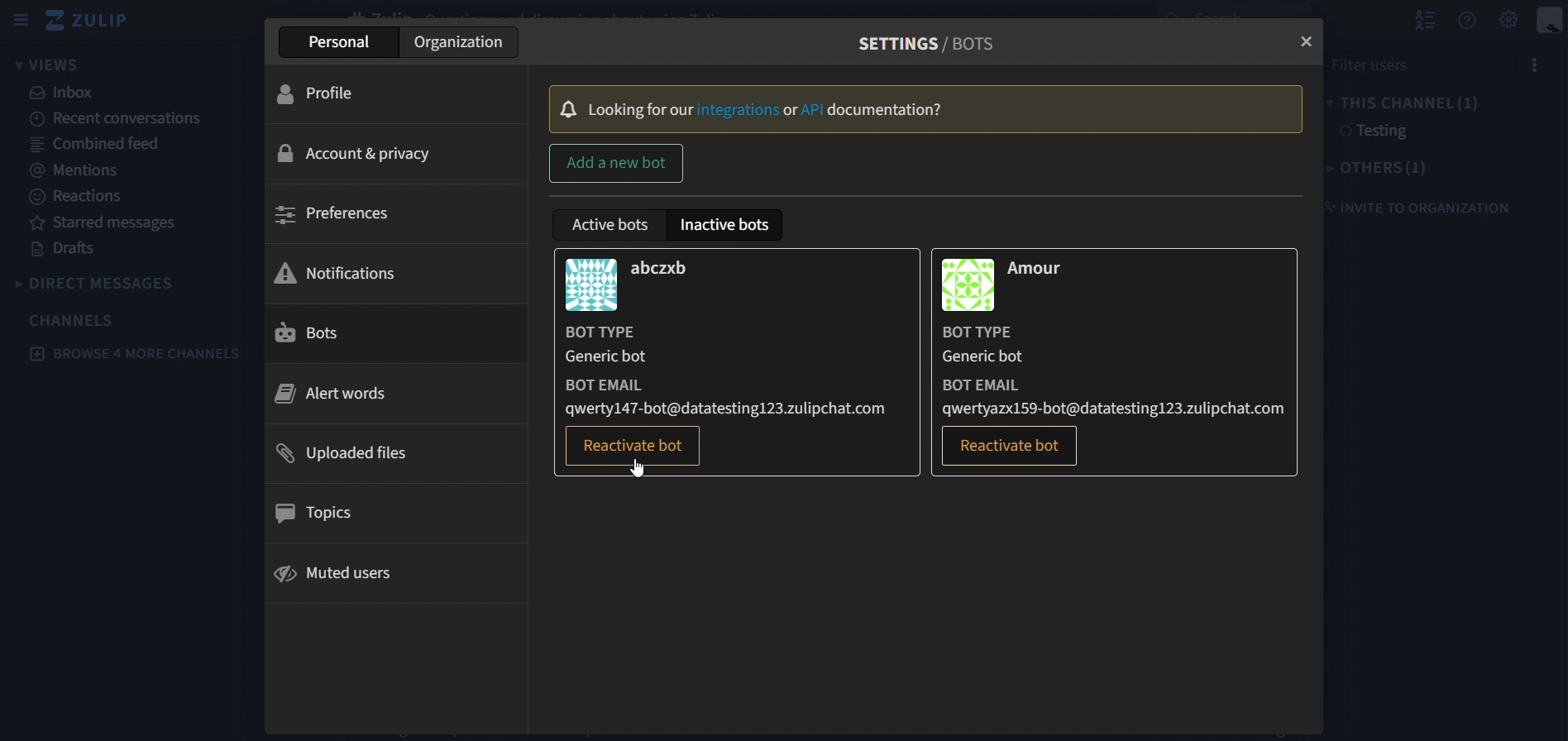  Describe the element at coordinates (928, 41) in the screenshot. I see `settings/bots` at that location.